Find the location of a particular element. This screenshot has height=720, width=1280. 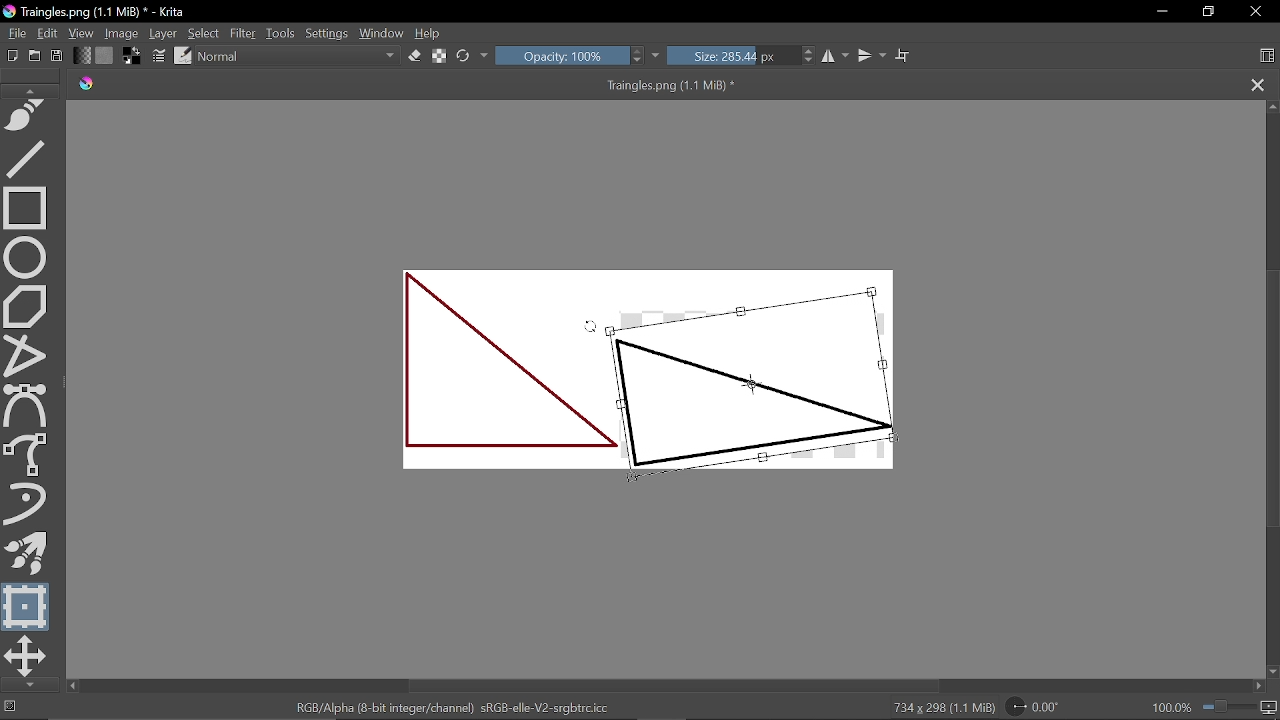

Move up in tools is located at coordinates (33, 90).